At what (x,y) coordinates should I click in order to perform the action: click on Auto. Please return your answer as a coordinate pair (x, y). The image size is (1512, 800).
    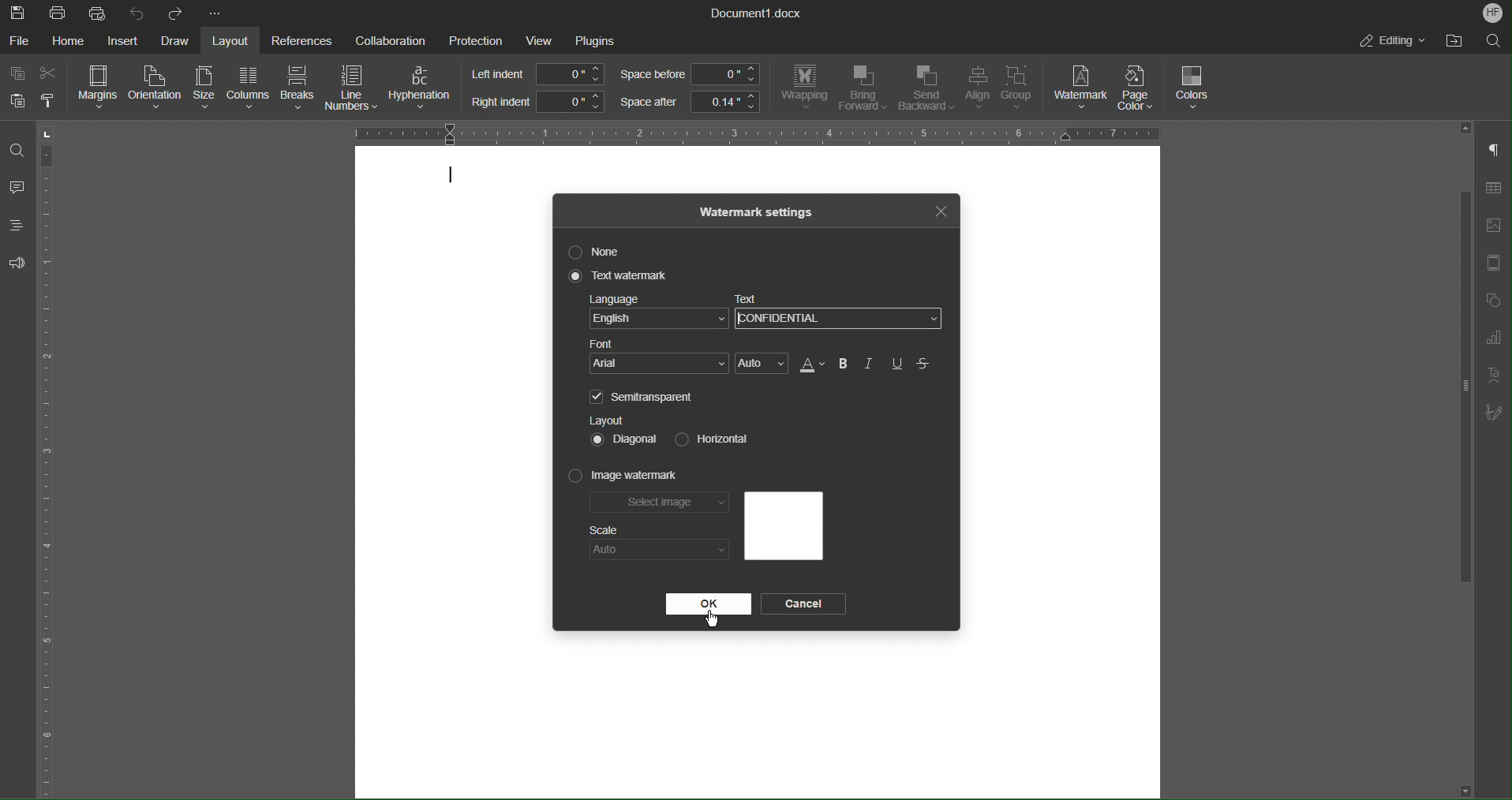
    Looking at the image, I should click on (762, 364).